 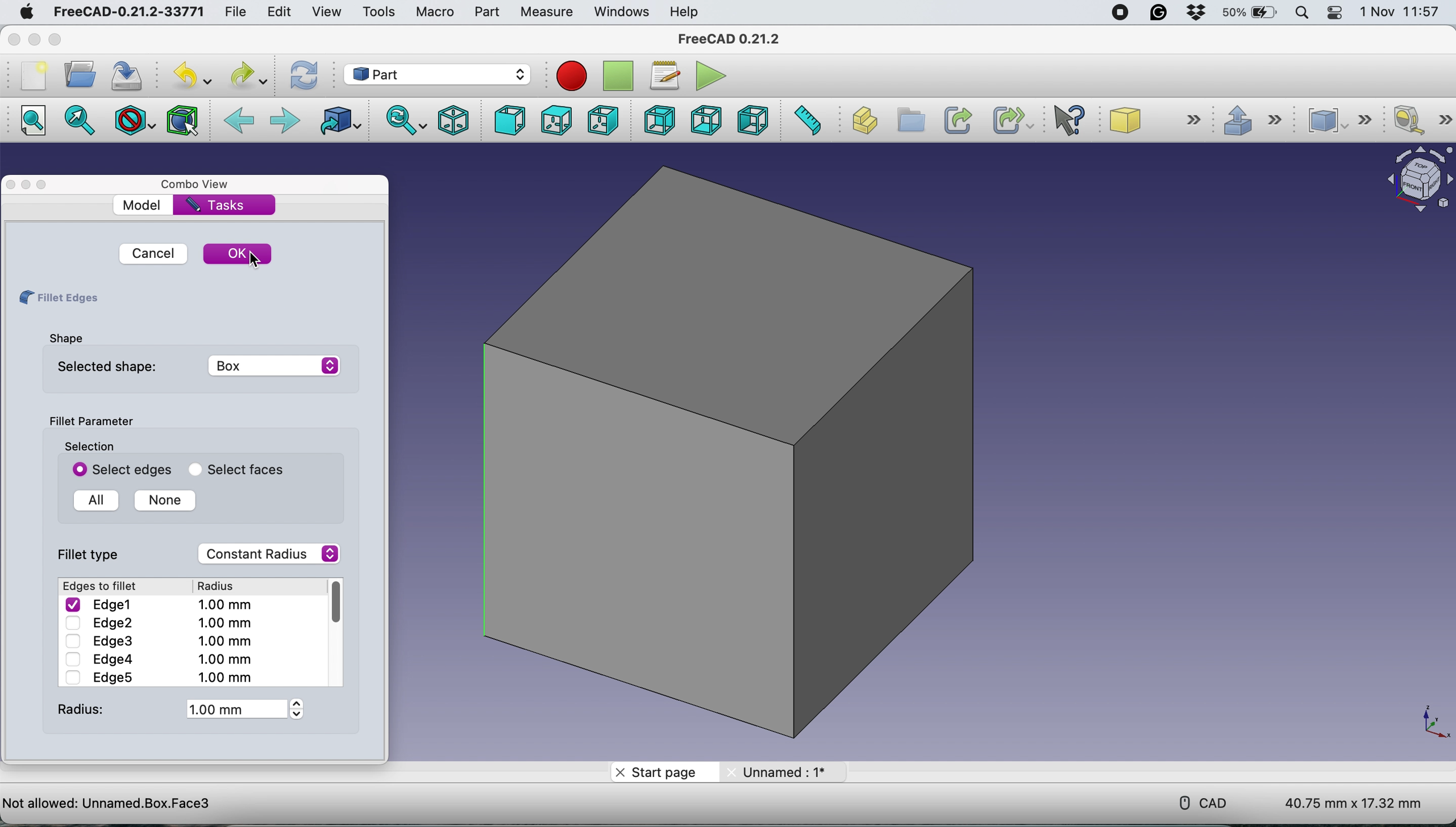 What do you see at coordinates (604, 119) in the screenshot?
I see `right` at bounding box center [604, 119].